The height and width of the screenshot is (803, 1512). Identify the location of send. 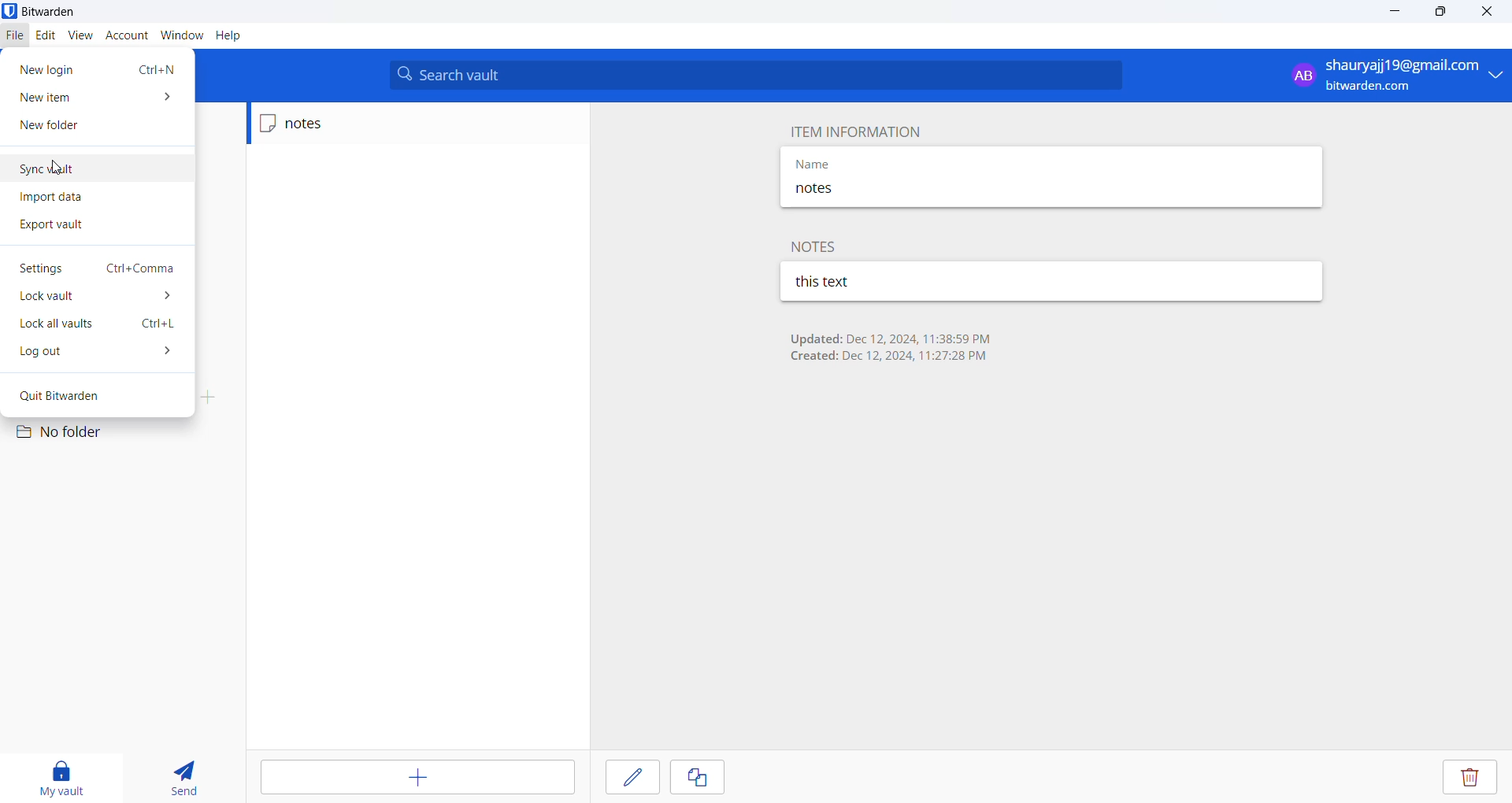
(179, 777).